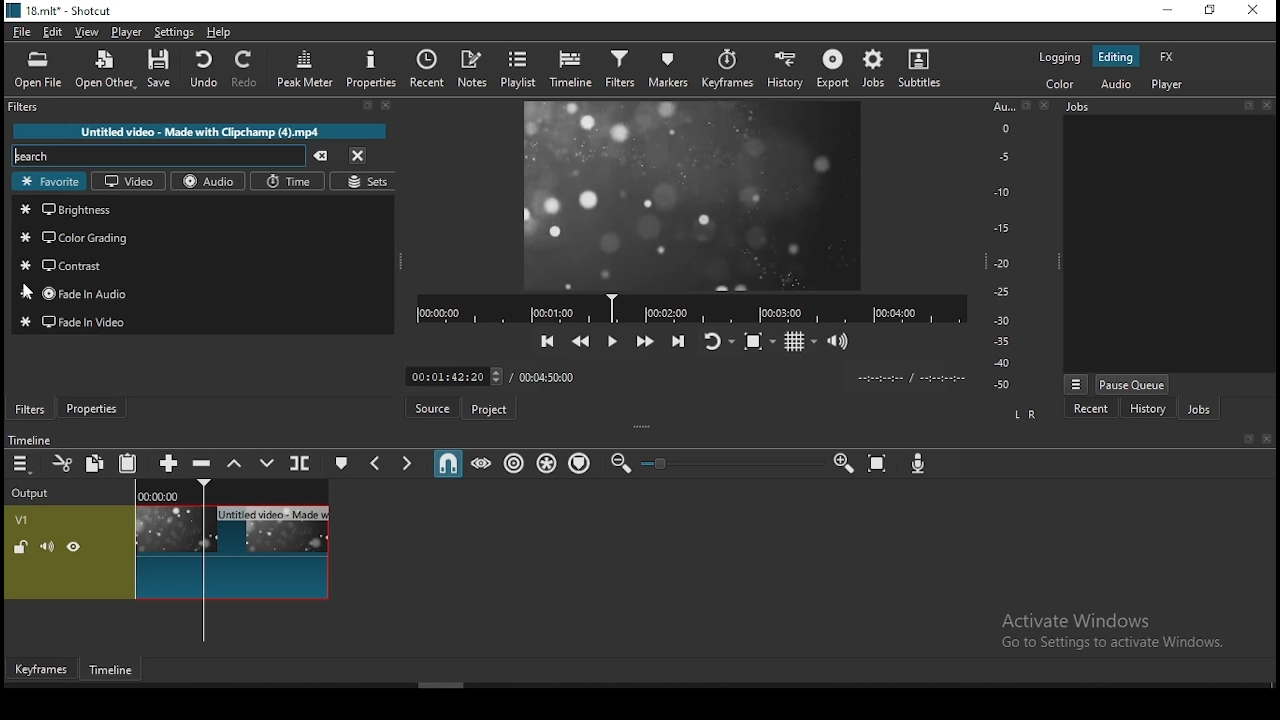  Describe the element at coordinates (159, 68) in the screenshot. I see `save` at that location.